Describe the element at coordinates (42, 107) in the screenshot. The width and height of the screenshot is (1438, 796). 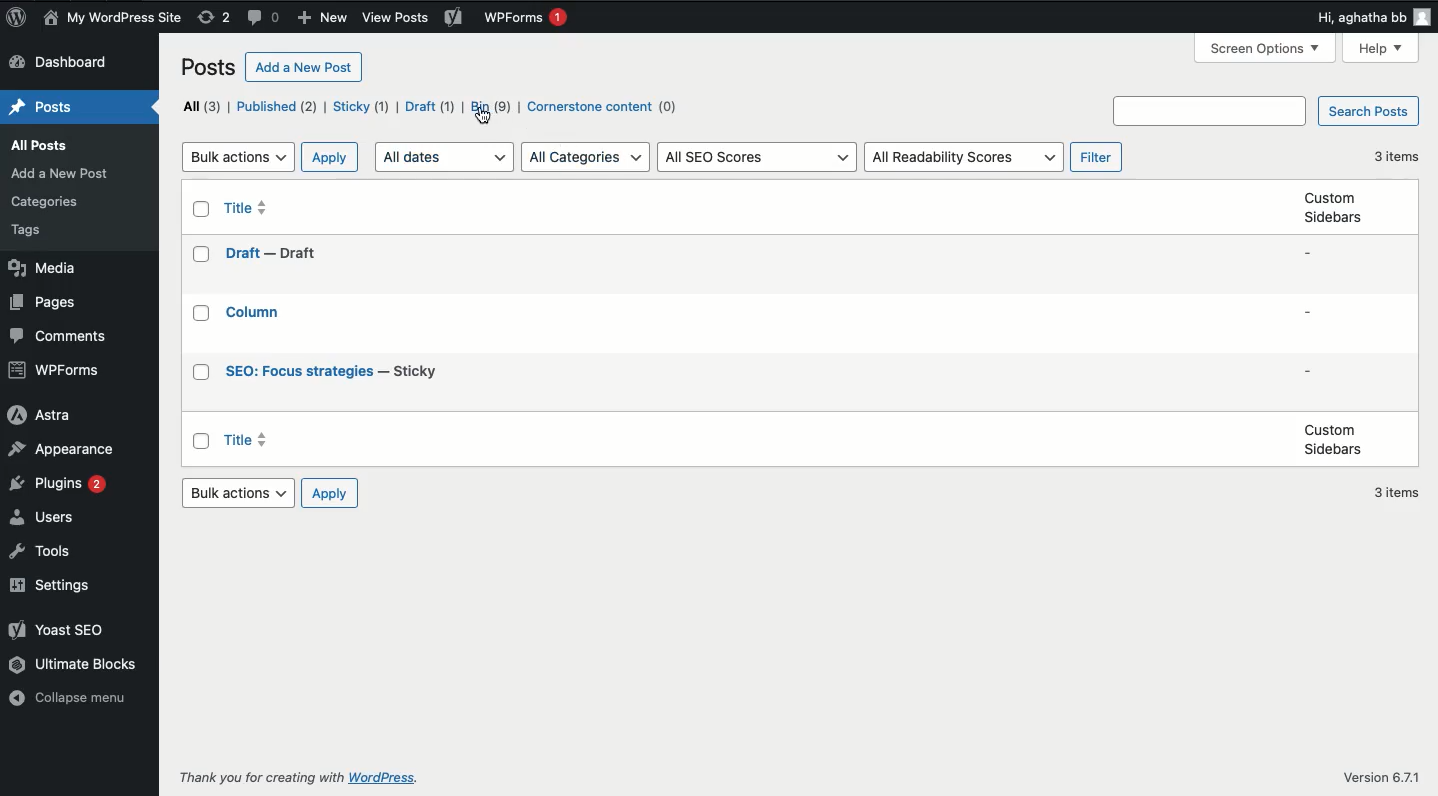
I see `Posts` at that location.